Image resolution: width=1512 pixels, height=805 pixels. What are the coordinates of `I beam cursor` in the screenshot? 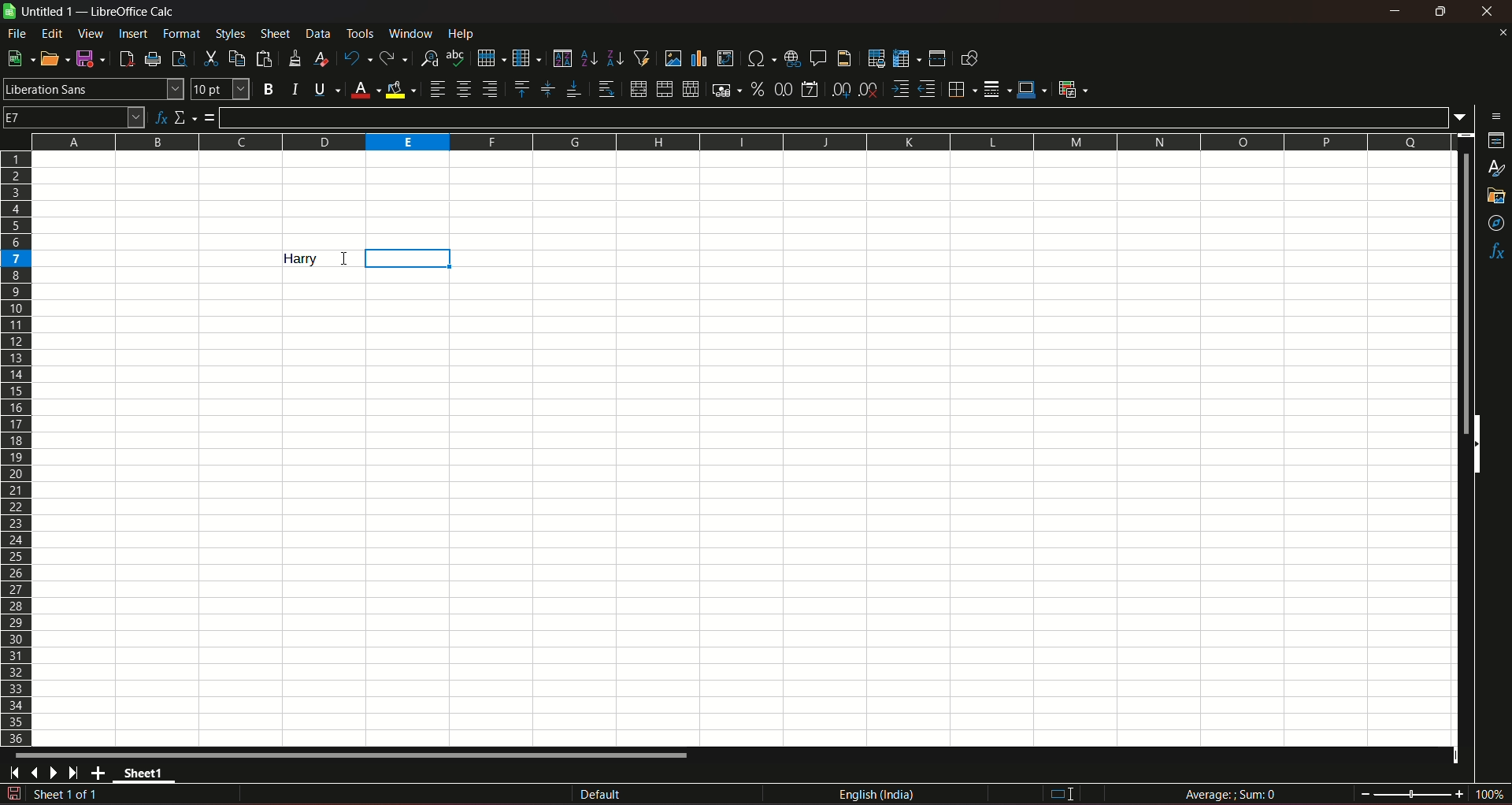 It's located at (1063, 795).